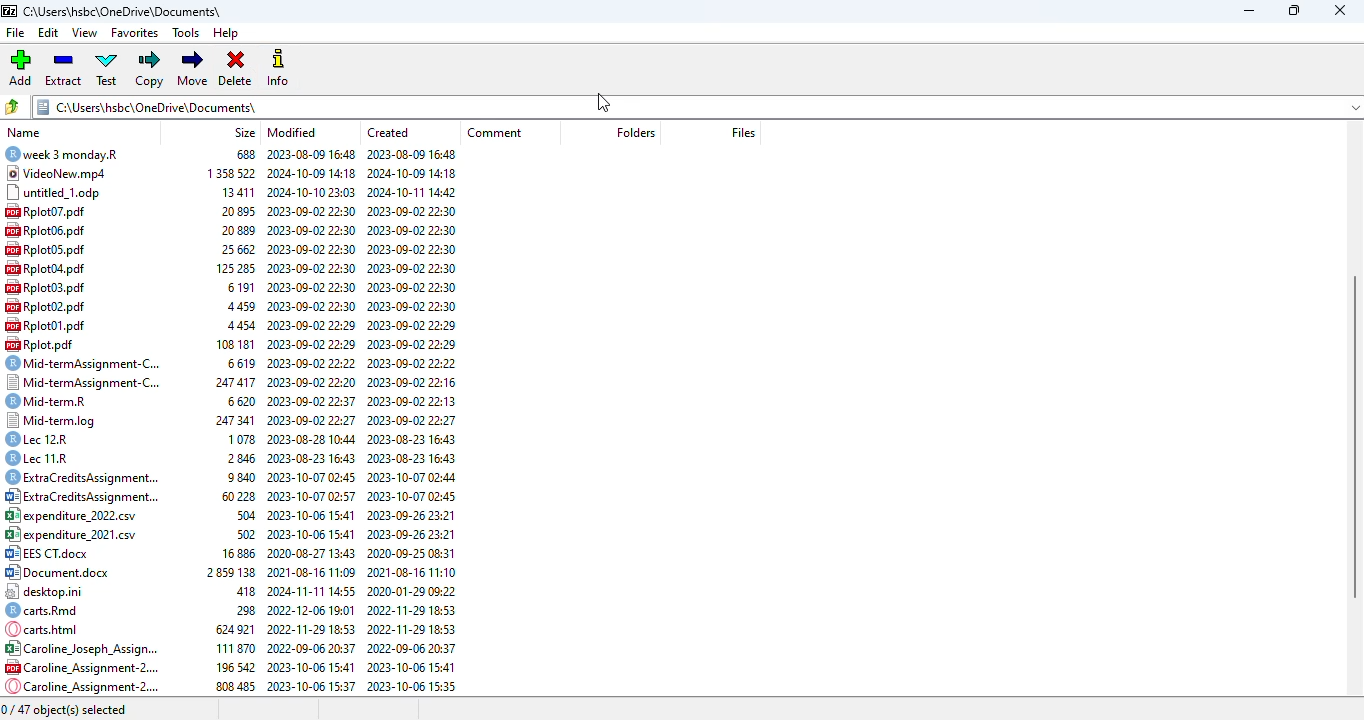 This screenshot has height=720, width=1364. I want to click on edit, so click(49, 33).